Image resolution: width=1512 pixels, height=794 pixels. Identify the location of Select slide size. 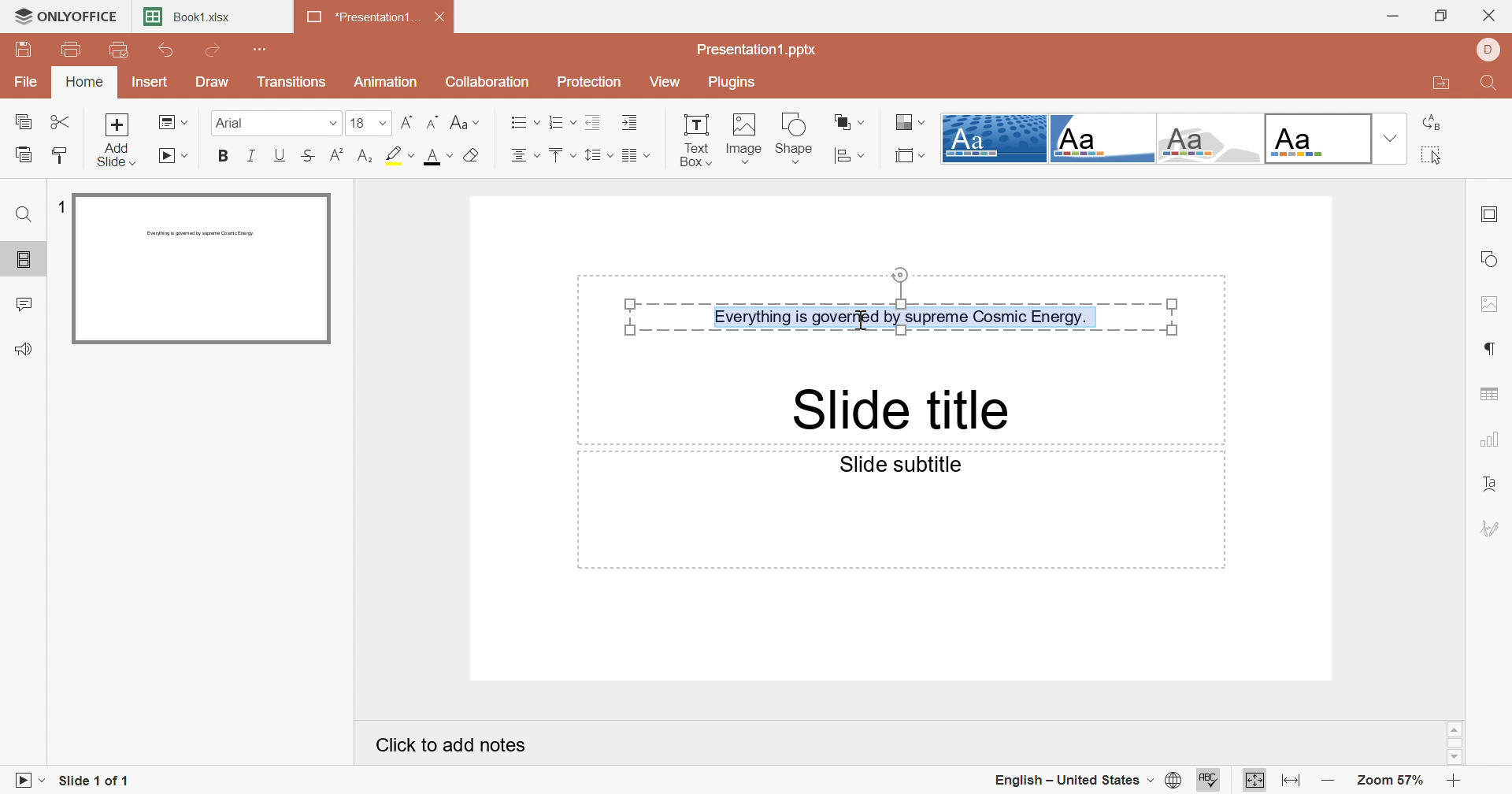
(910, 154).